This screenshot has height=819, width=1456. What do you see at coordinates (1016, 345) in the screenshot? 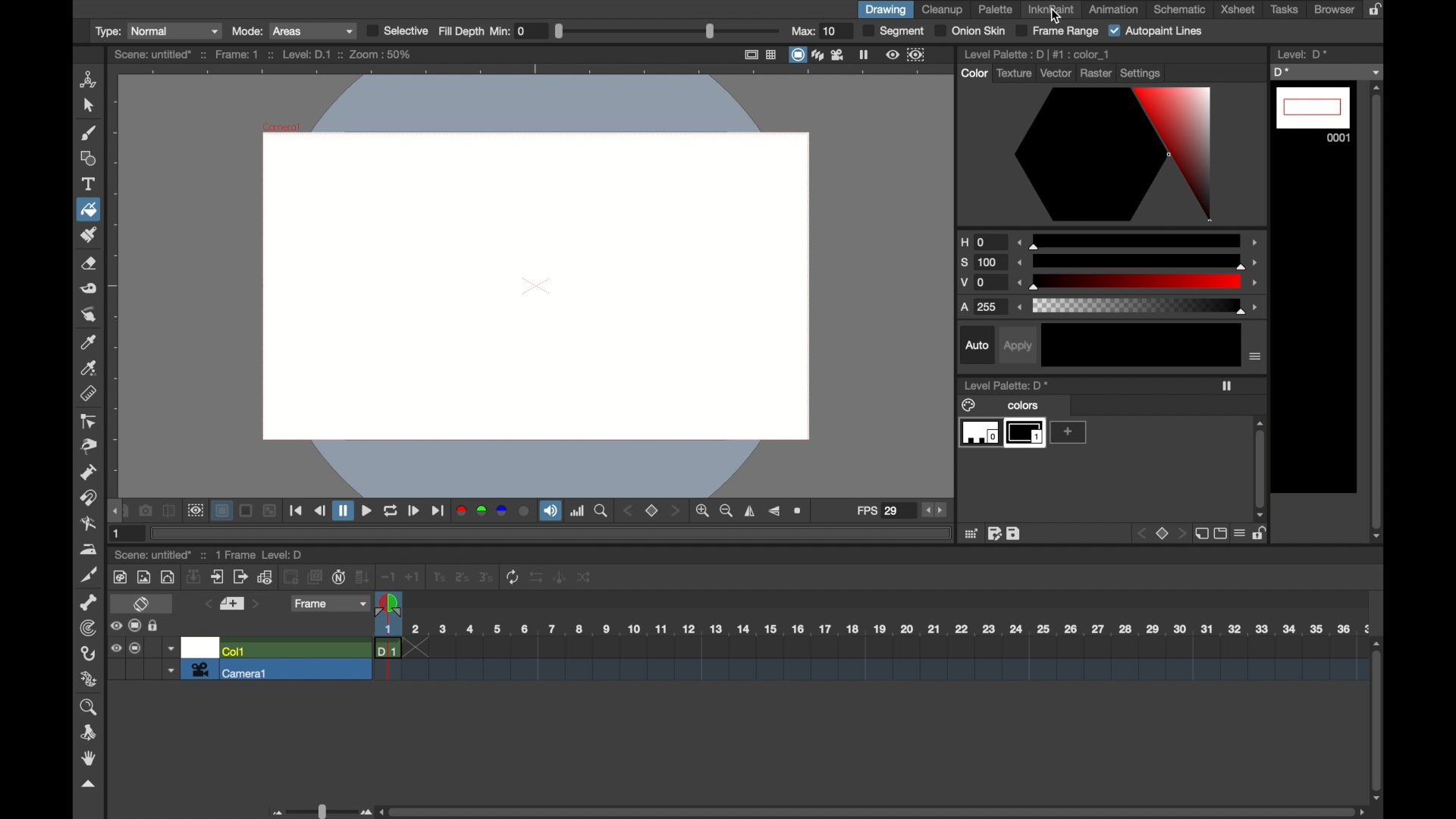
I see `apply` at bounding box center [1016, 345].